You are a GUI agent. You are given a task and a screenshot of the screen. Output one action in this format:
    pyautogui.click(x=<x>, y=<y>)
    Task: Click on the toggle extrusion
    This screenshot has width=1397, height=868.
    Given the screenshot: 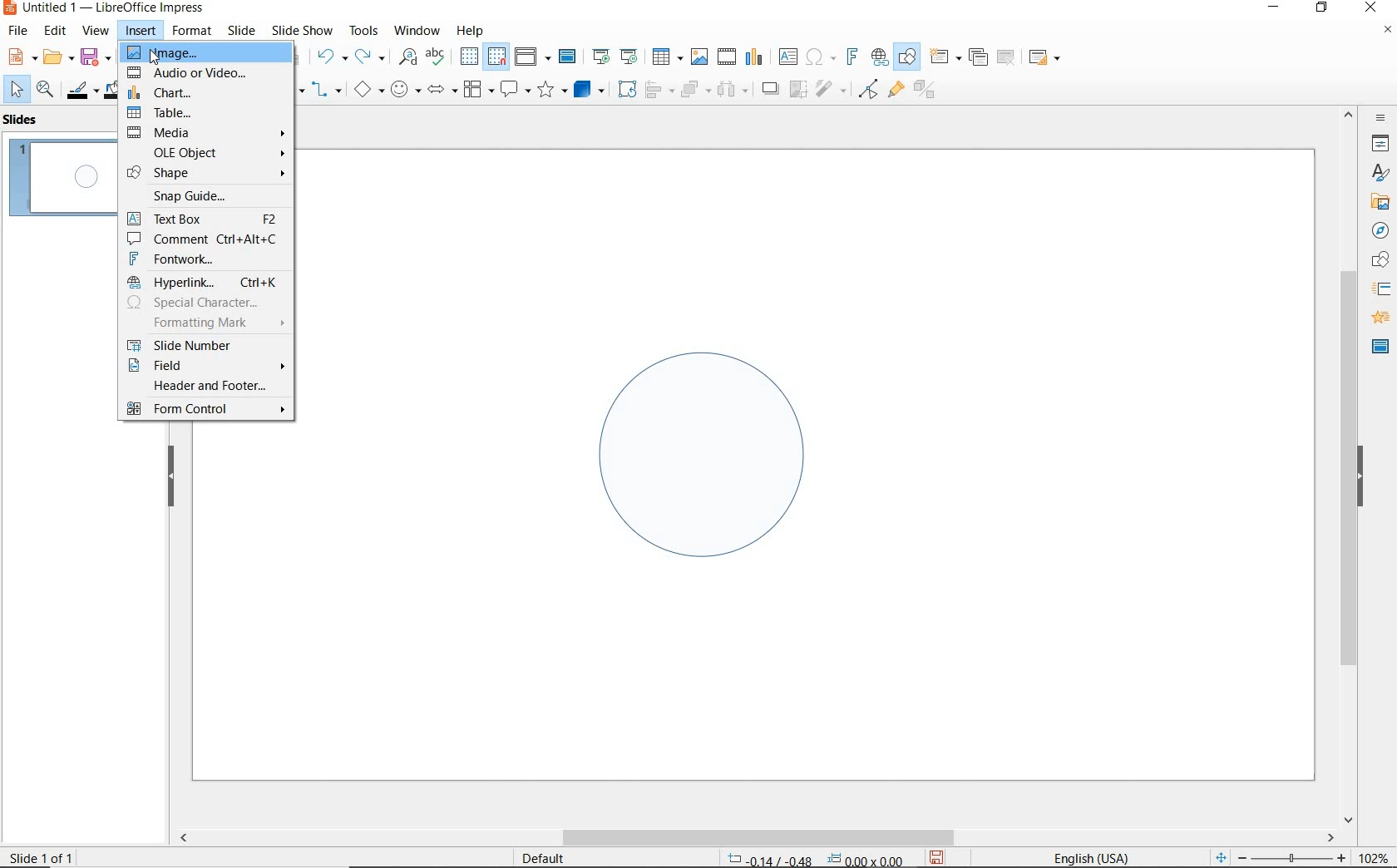 What is the action you would take?
    pyautogui.click(x=929, y=91)
    